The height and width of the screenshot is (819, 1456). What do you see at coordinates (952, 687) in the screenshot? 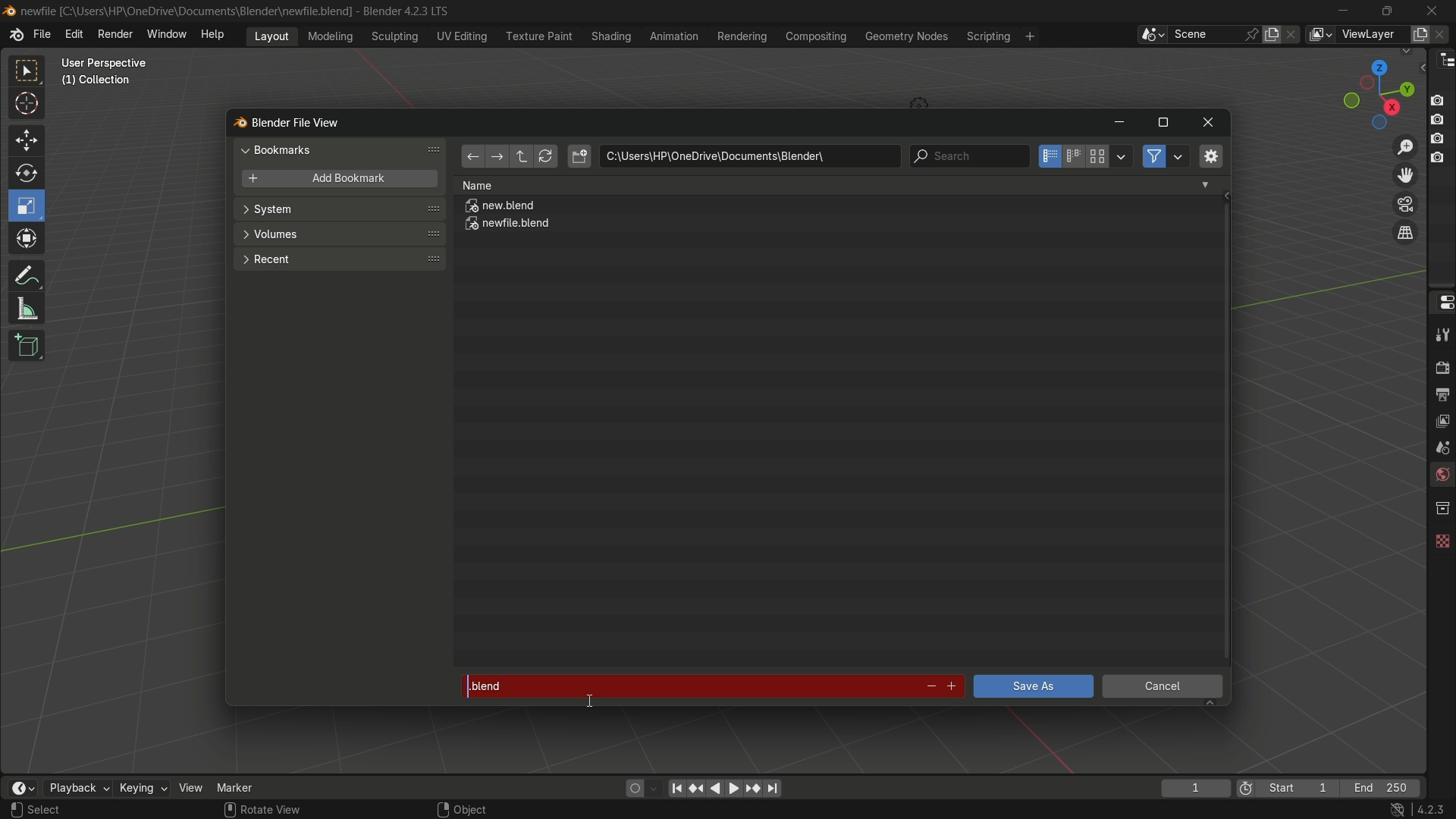
I see `increment file number` at bounding box center [952, 687].